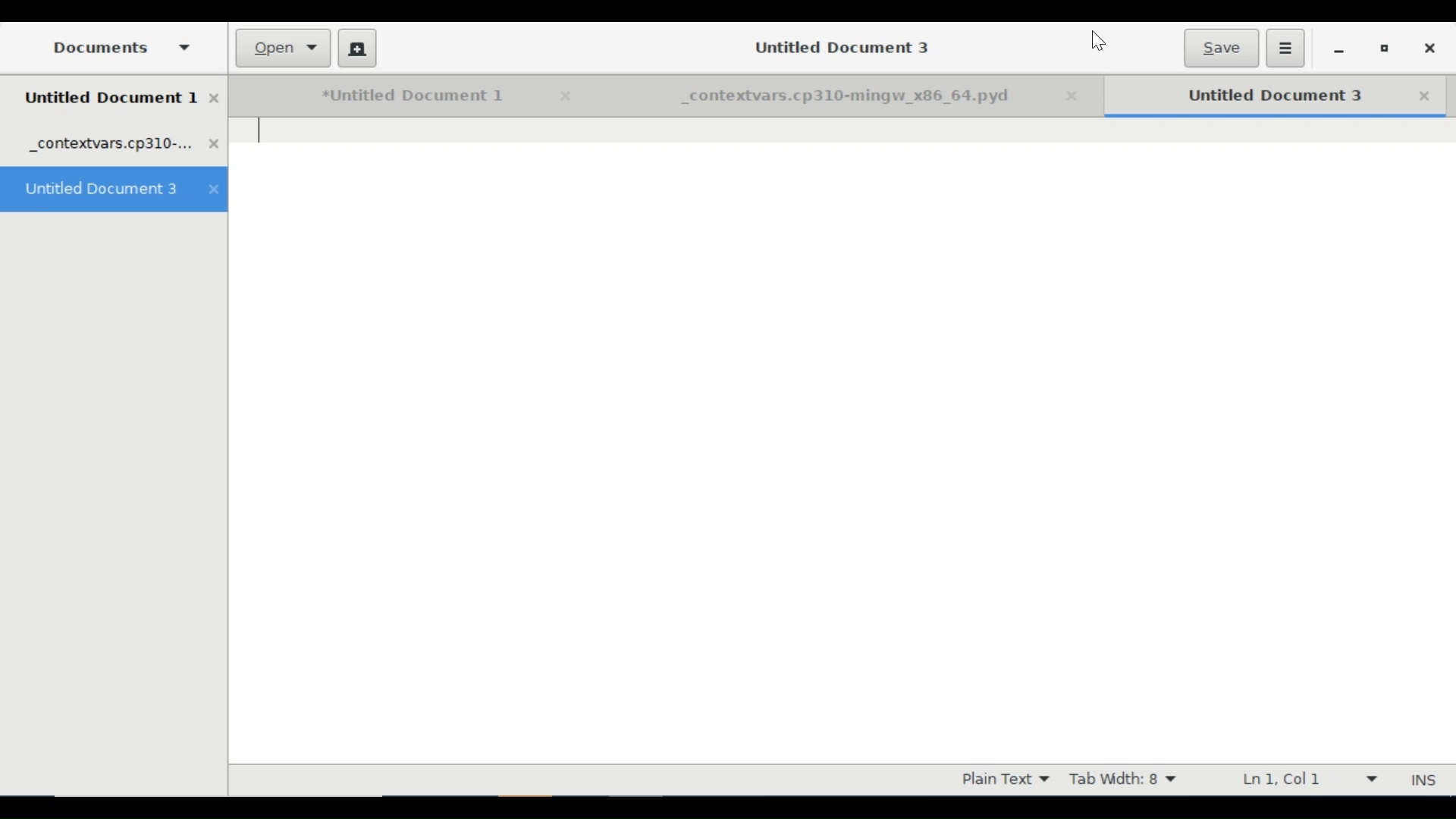  Describe the element at coordinates (836, 46) in the screenshot. I see `Untitled Document 3` at that location.